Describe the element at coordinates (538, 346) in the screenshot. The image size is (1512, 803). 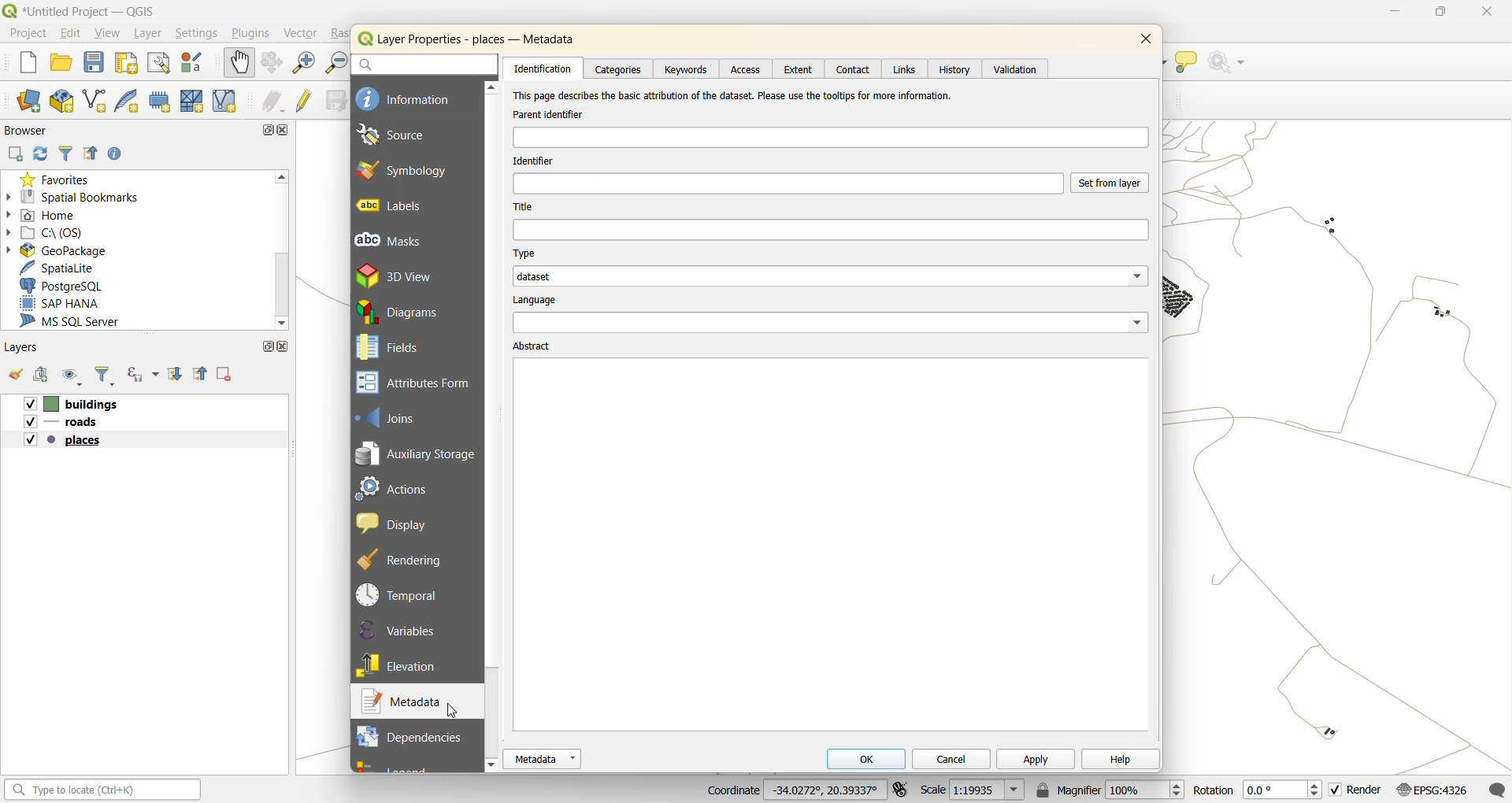
I see `abstract` at that location.